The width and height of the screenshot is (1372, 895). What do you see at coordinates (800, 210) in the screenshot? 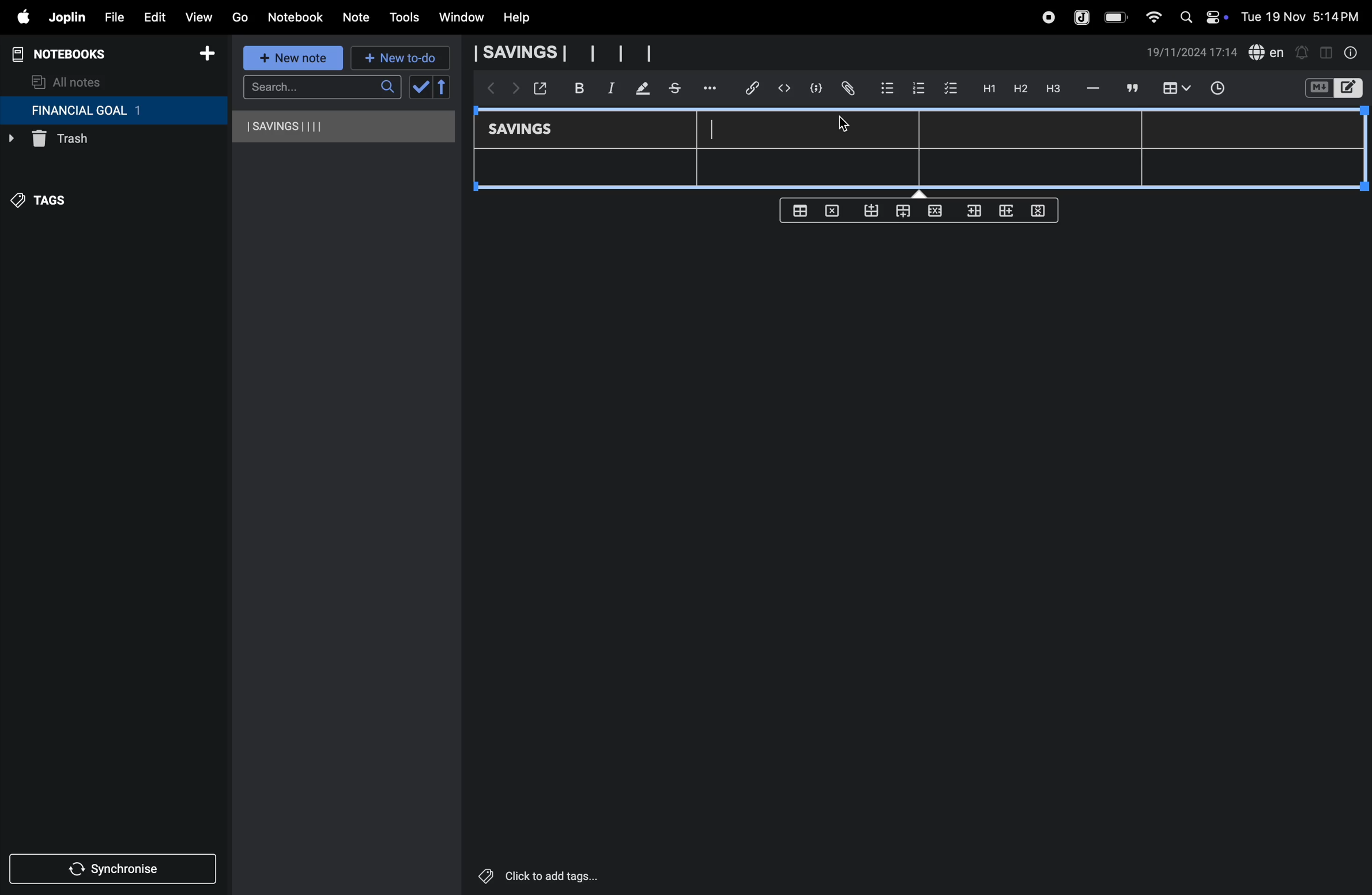
I see `create table` at bounding box center [800, 210].